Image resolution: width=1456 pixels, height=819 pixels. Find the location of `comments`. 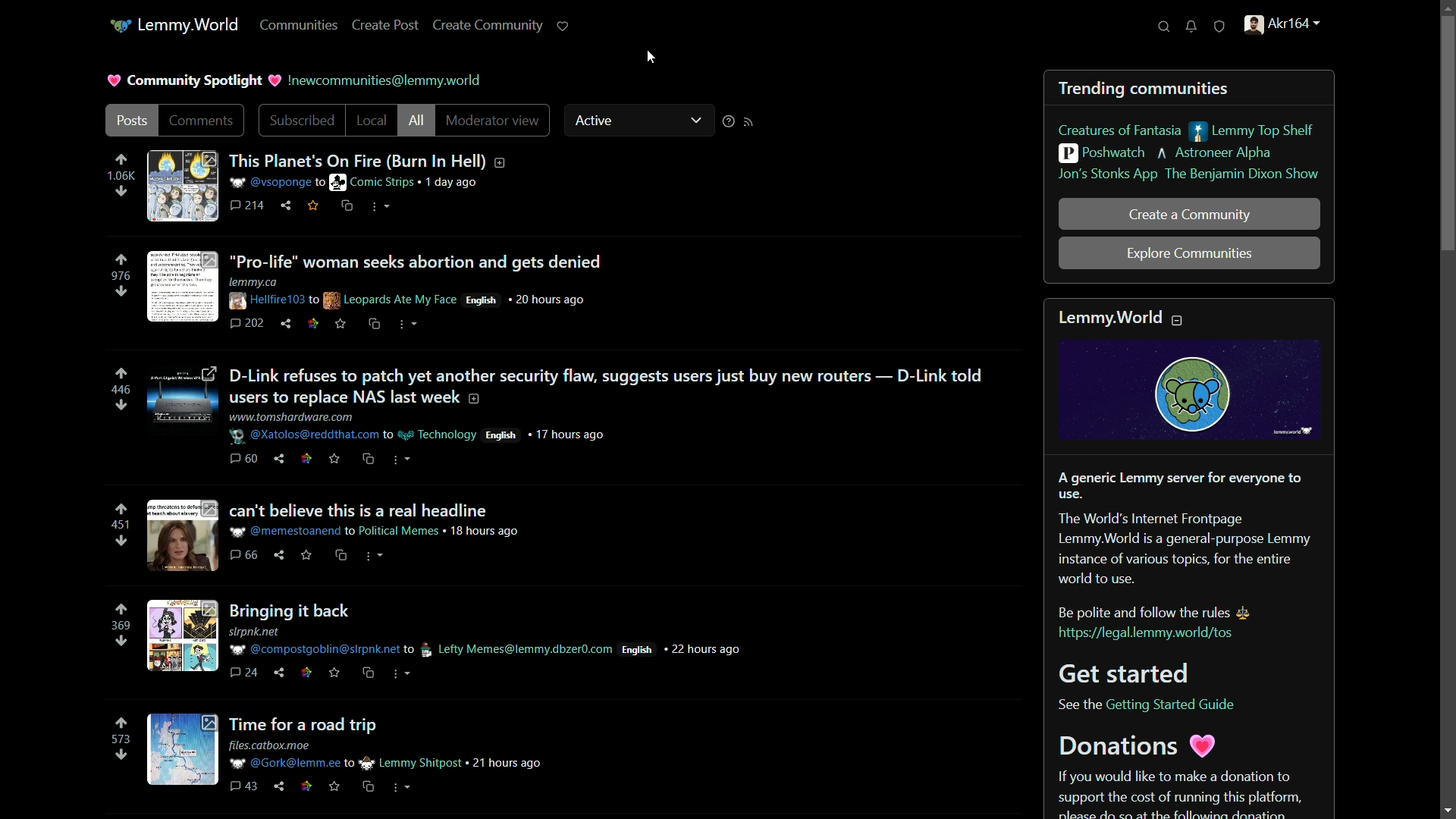

comments is located at coordinates (249, 207).